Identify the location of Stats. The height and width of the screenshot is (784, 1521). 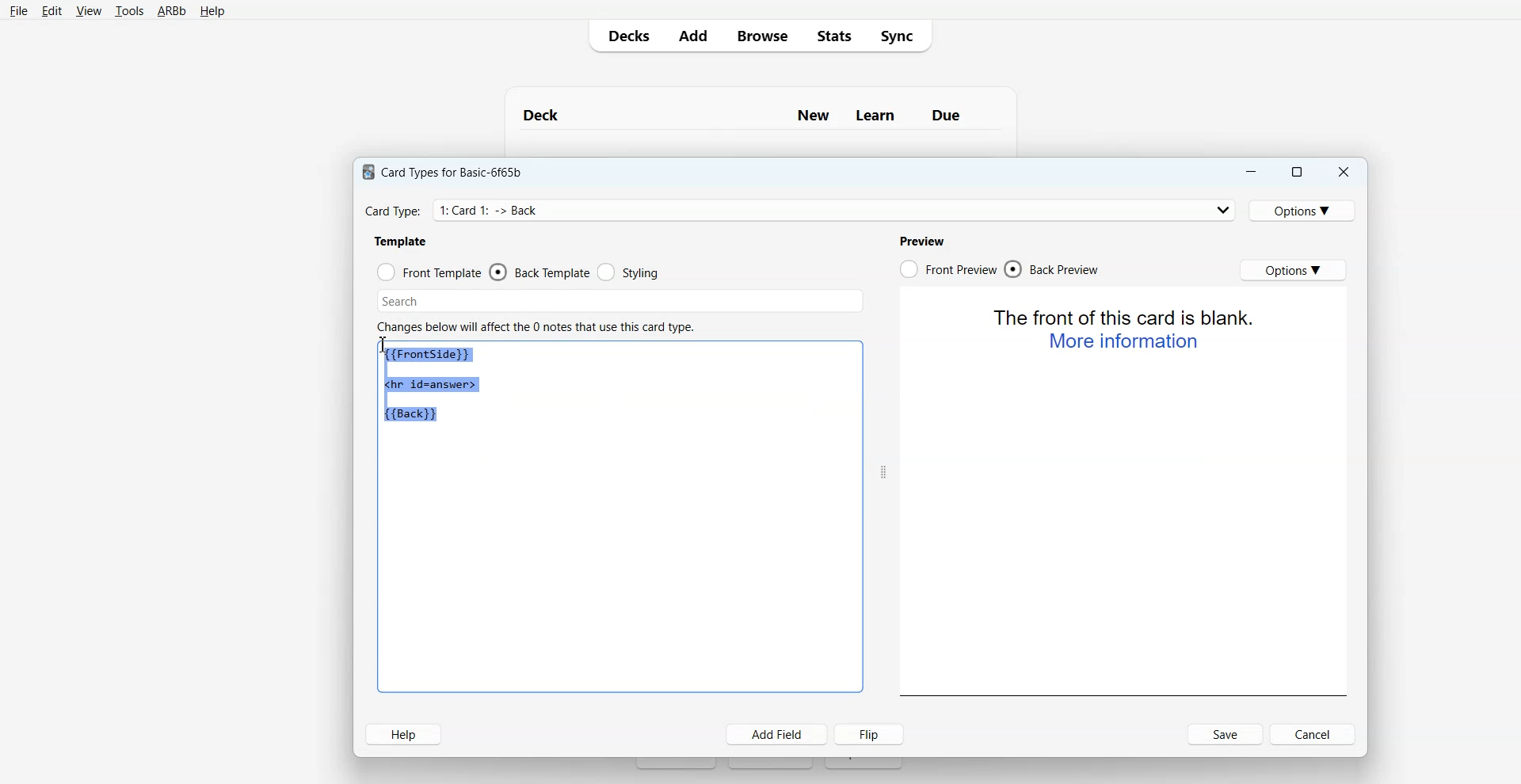
(831, 36).